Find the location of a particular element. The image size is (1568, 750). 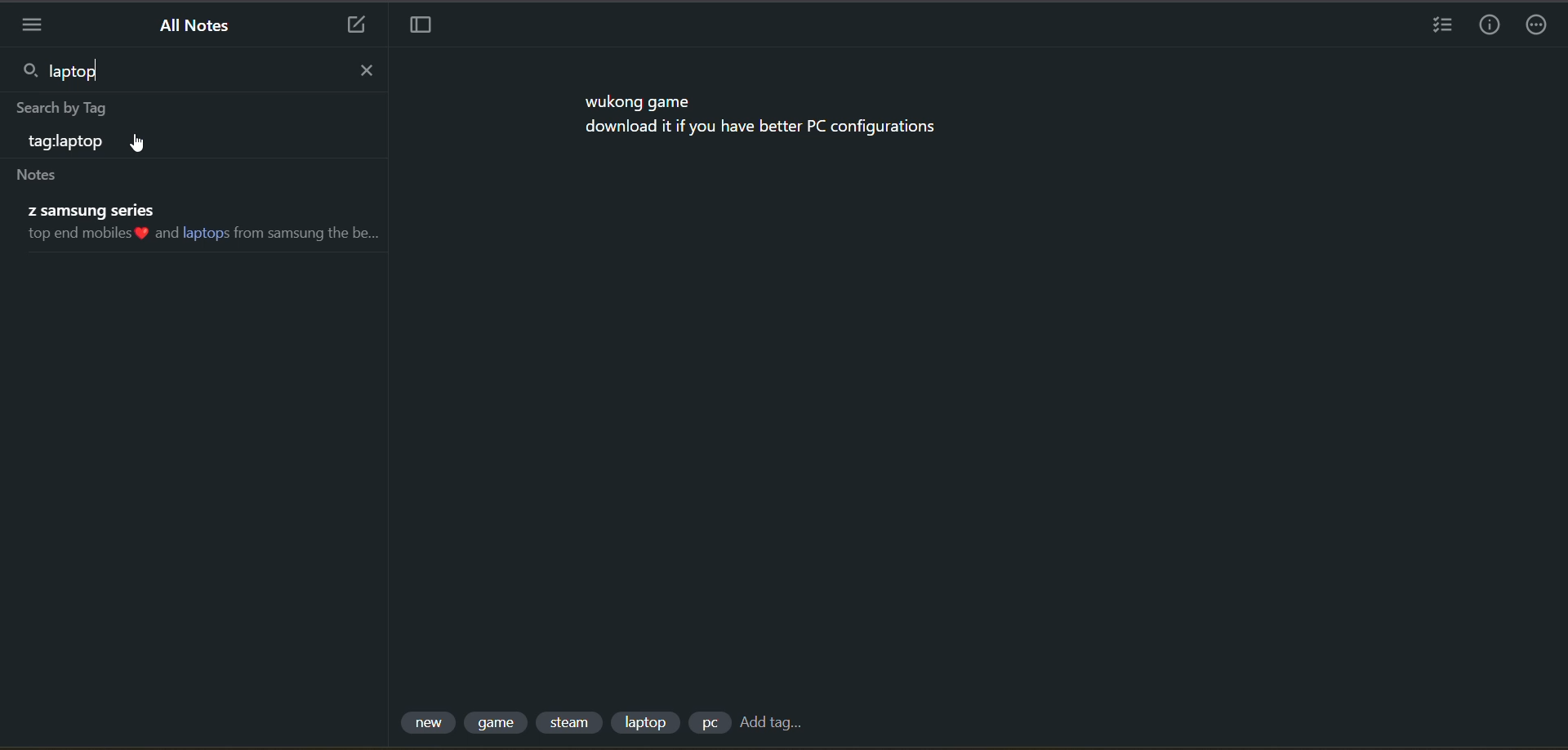

insert checklist is located at coordinates (1438, 26).